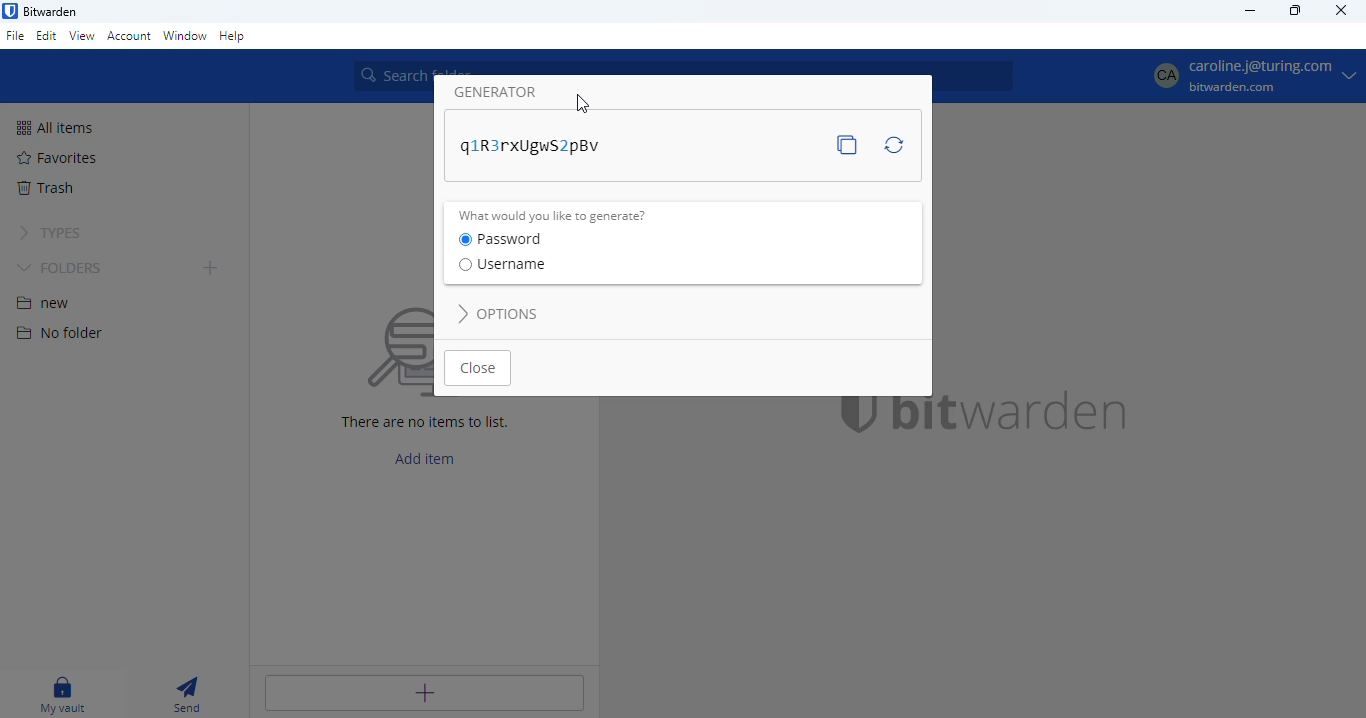 The image size is (1366, 718). I want to click on what would you like to generate?, so click(552, 216).